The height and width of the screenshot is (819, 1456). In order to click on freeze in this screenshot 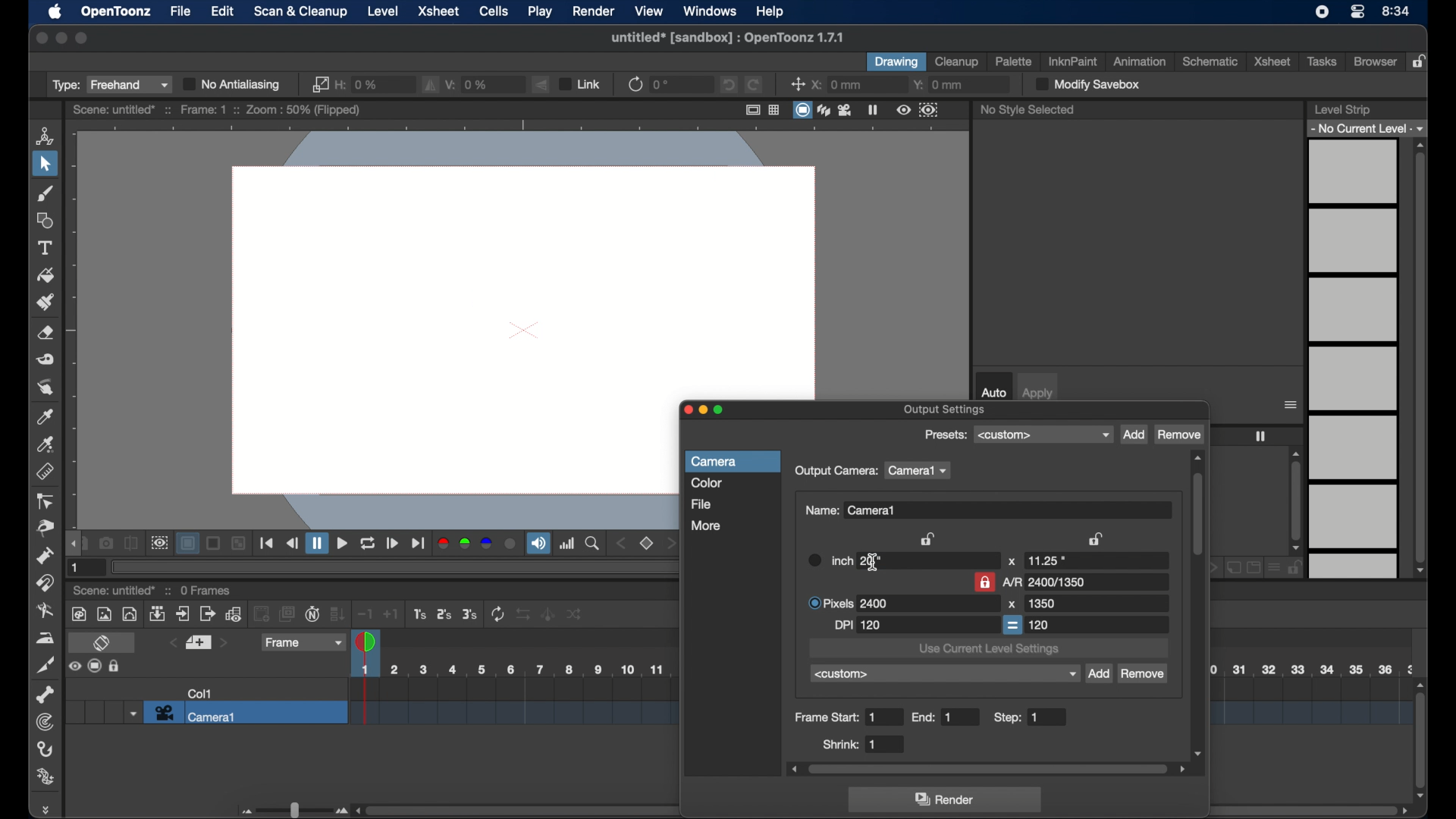, I will do `click(873, 109)`.